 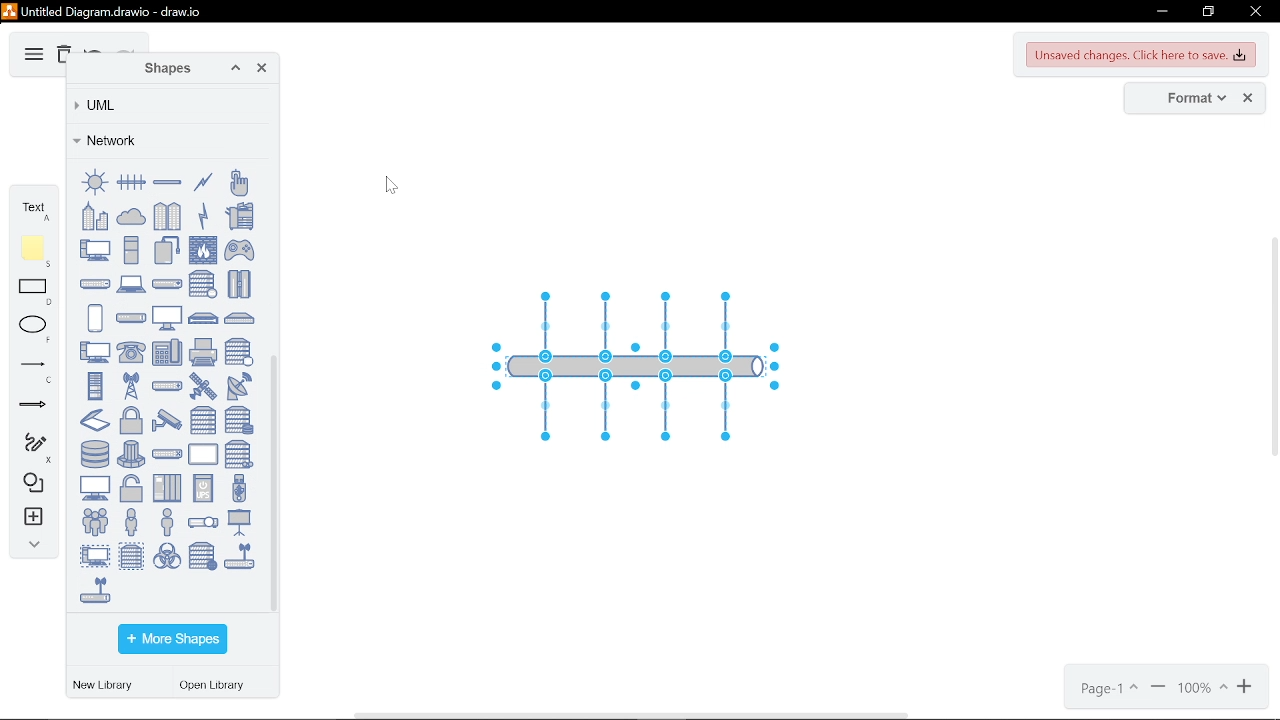 What do you see at coordinates (167, 386) in the screenshot?
I see `router` at bounding box center [167, 386].